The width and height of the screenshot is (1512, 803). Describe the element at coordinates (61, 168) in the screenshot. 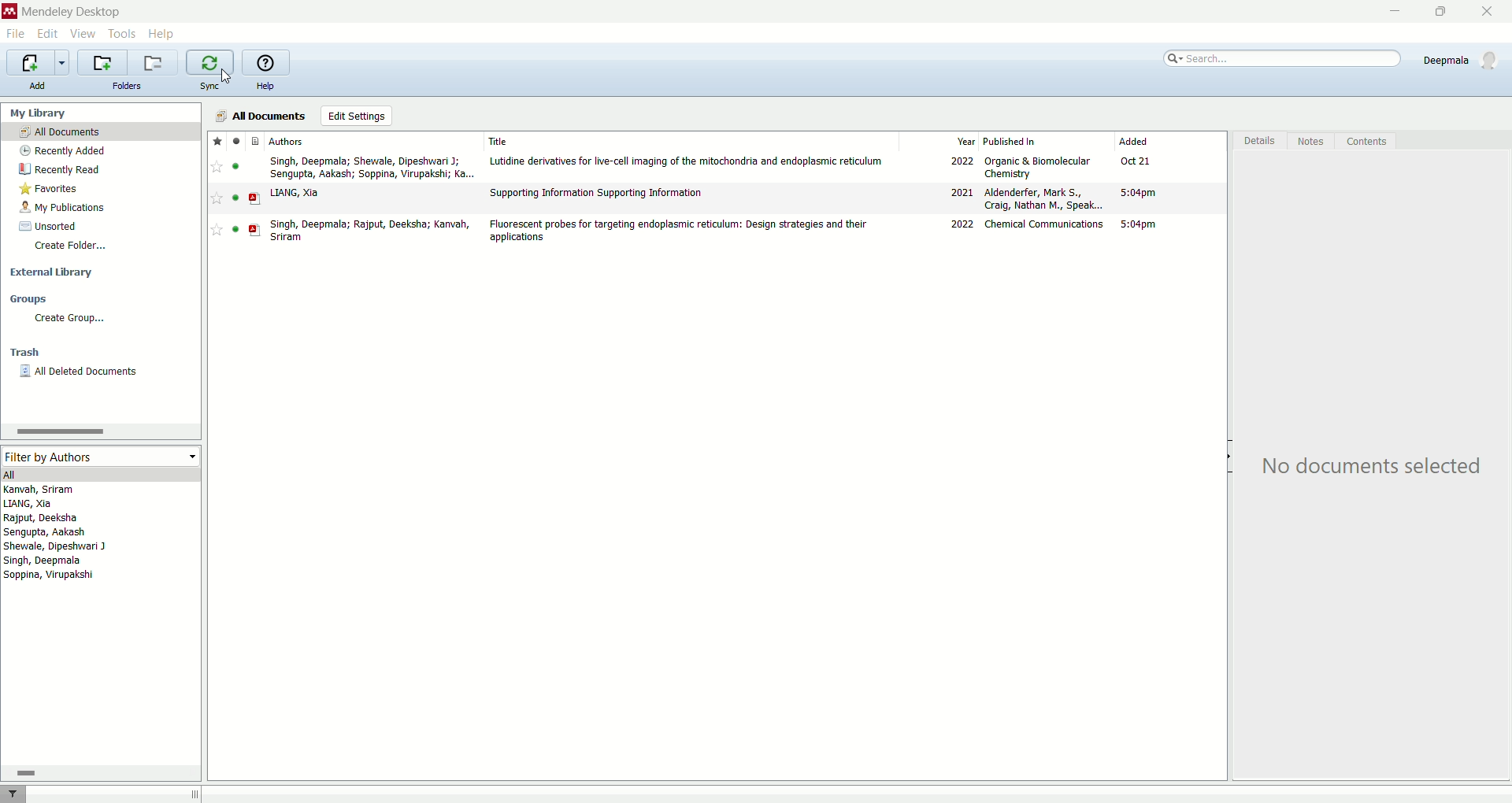

I see `recently read` at that location.